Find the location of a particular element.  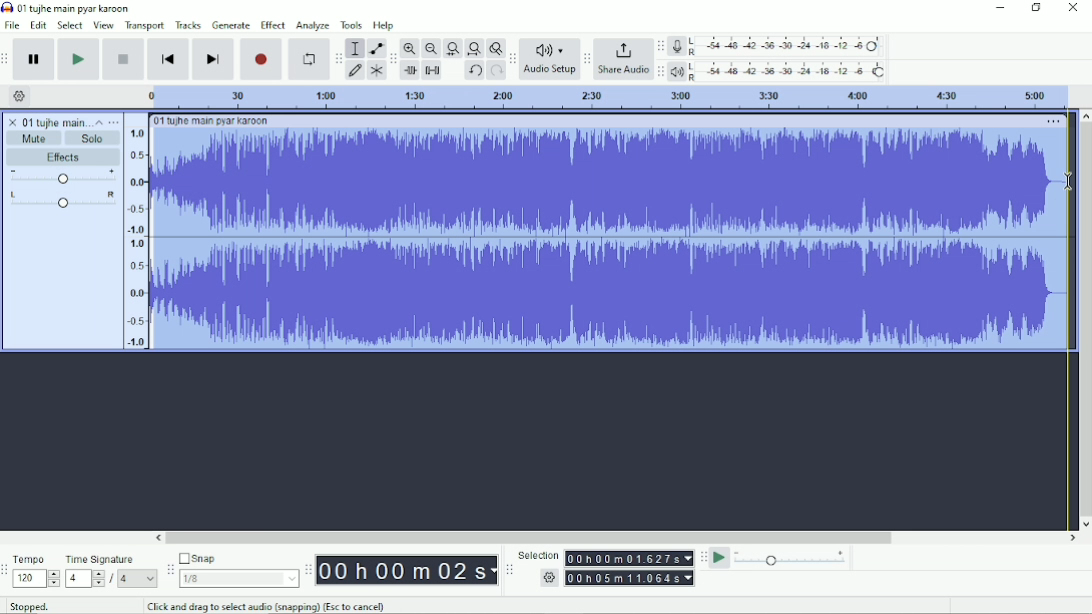

1/8 is located at coordinates (239, 578).